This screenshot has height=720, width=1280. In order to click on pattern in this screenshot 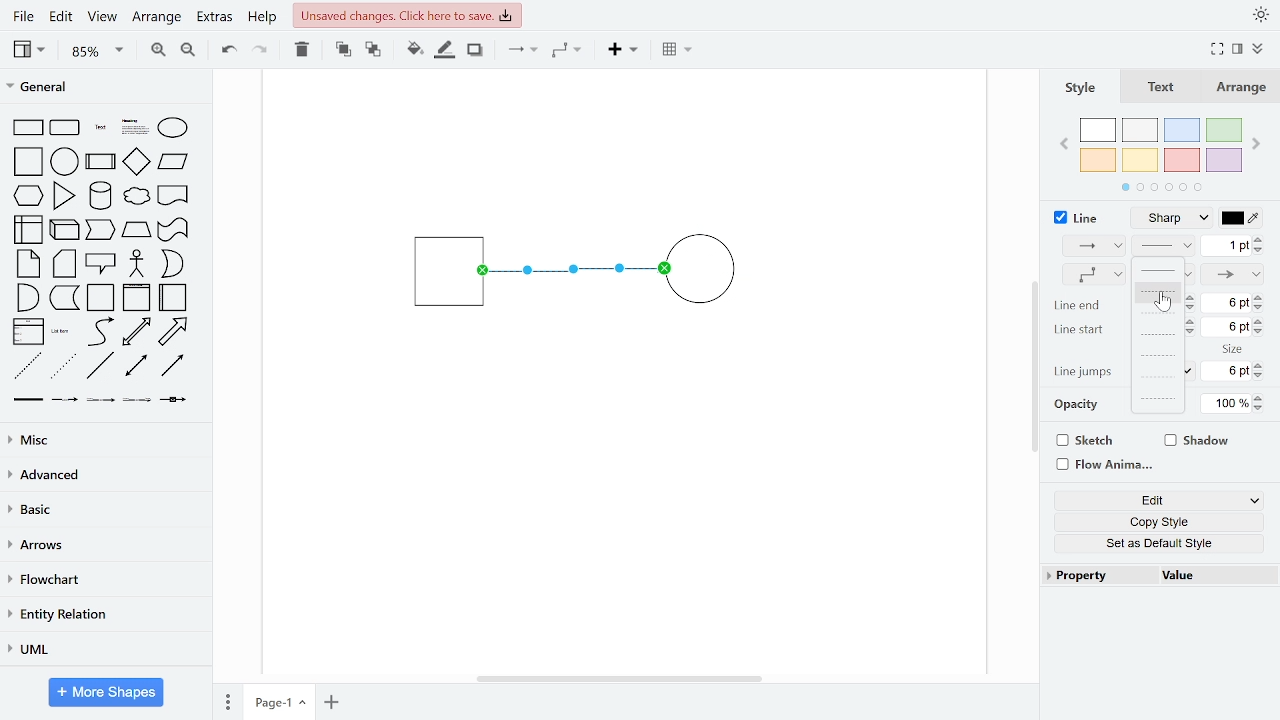, I will do `click(1163, 247)`.